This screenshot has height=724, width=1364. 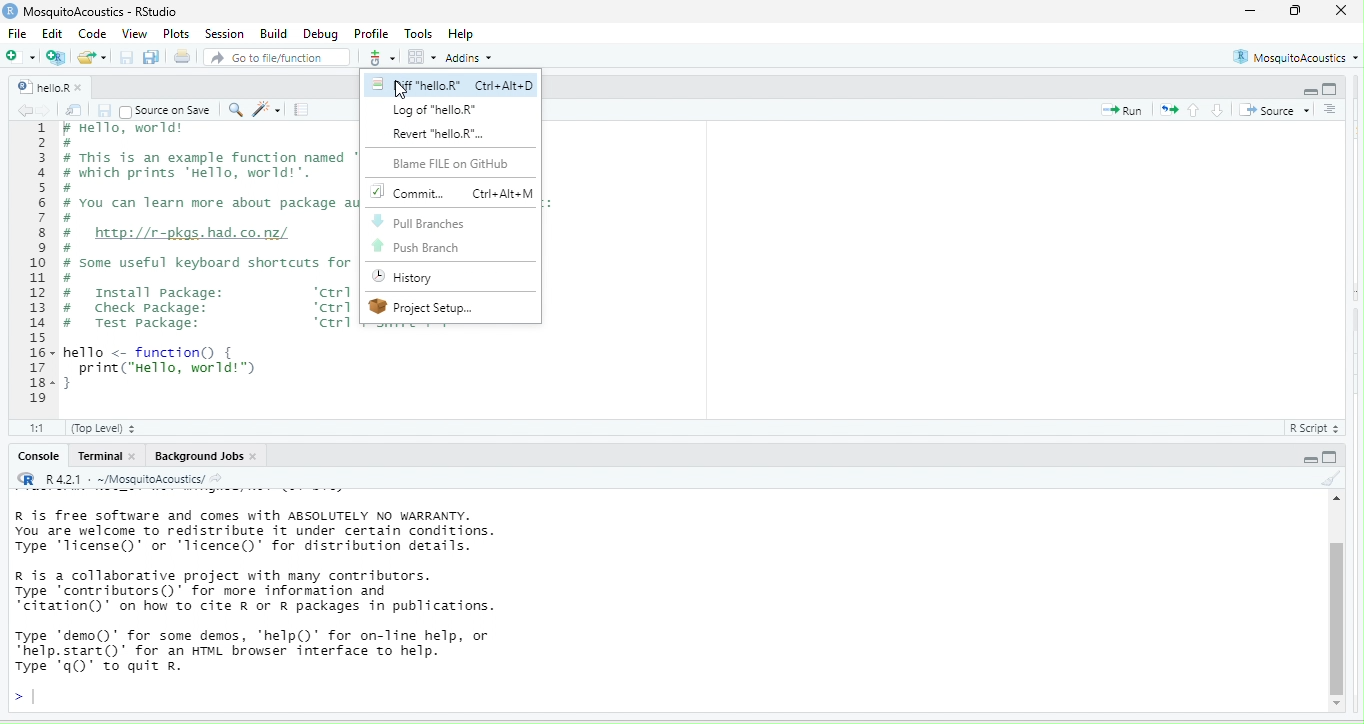 What do you see at coordinates (58, 58) in the screenshot?
I see `create a project` at bounding box center [58, 58].